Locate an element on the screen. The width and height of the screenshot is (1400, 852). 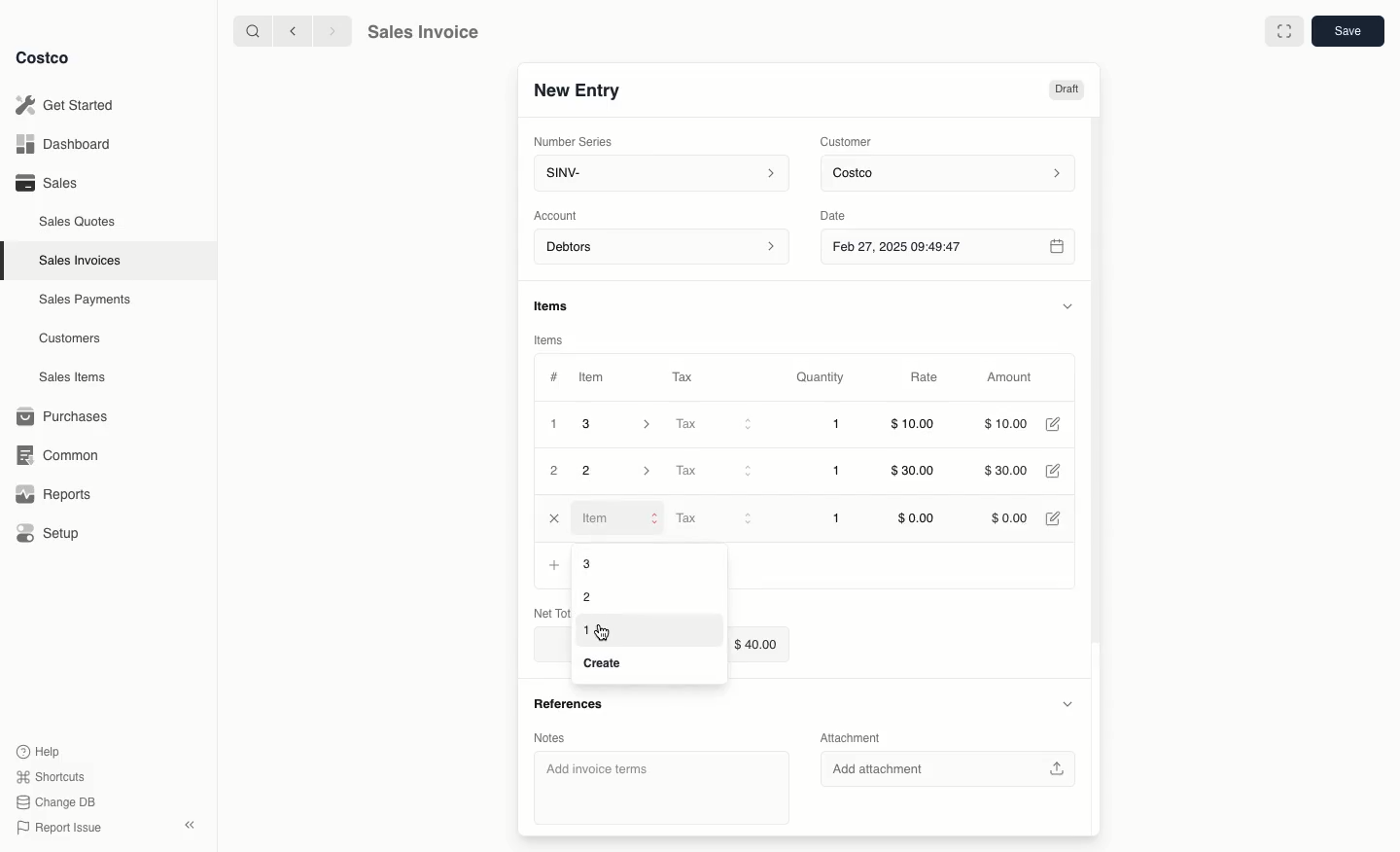
Help is located at coordinates (40, 750).